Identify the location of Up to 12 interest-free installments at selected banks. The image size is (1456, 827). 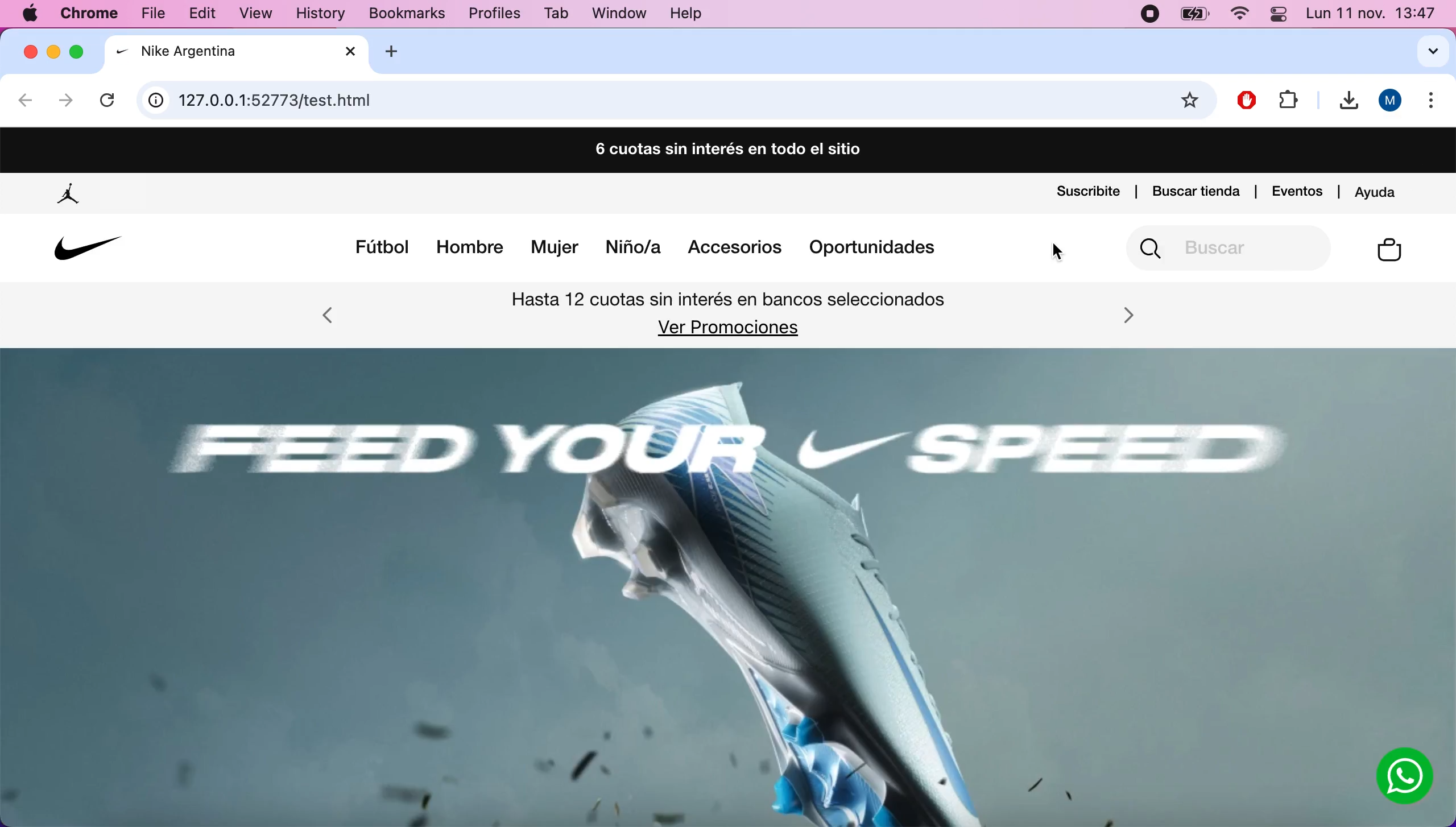
(731, 302).